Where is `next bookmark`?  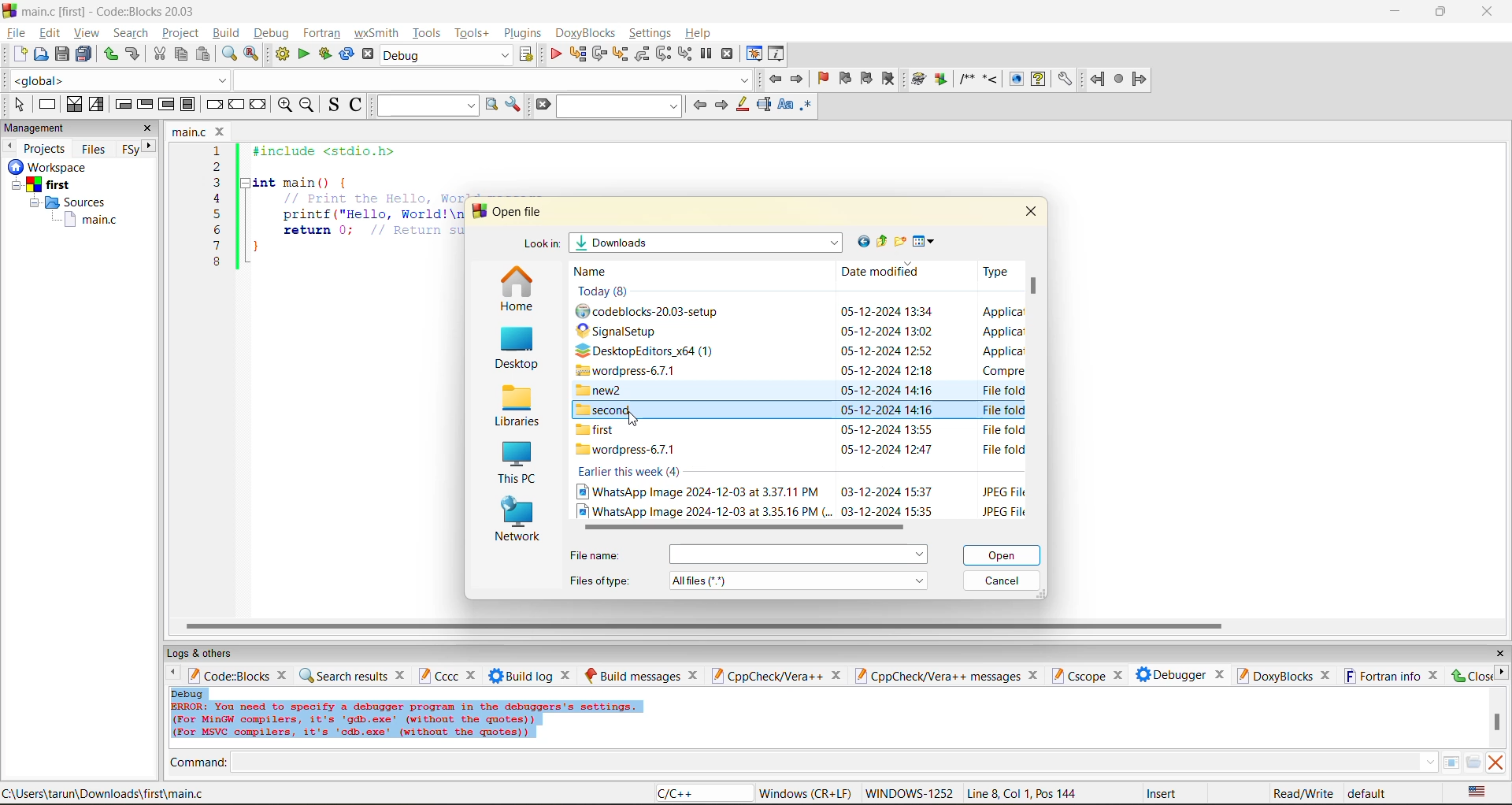 next bookmark is located at coordinates (868, 76).